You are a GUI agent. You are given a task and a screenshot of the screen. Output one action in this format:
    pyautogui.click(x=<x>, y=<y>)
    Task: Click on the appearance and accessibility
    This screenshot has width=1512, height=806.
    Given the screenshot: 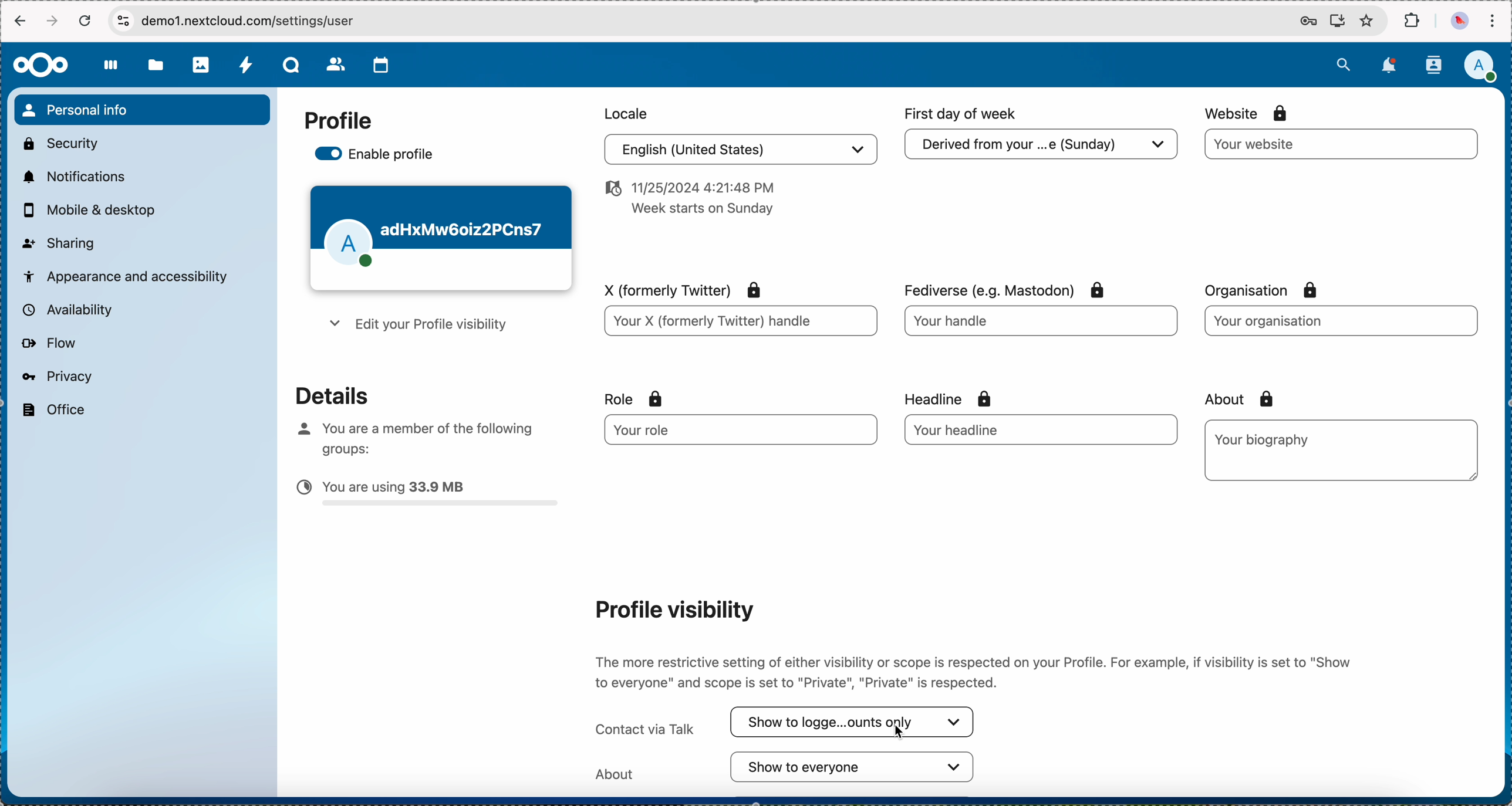 What is the action you would take?
    pyautogui.click(x=127, y=275)
    